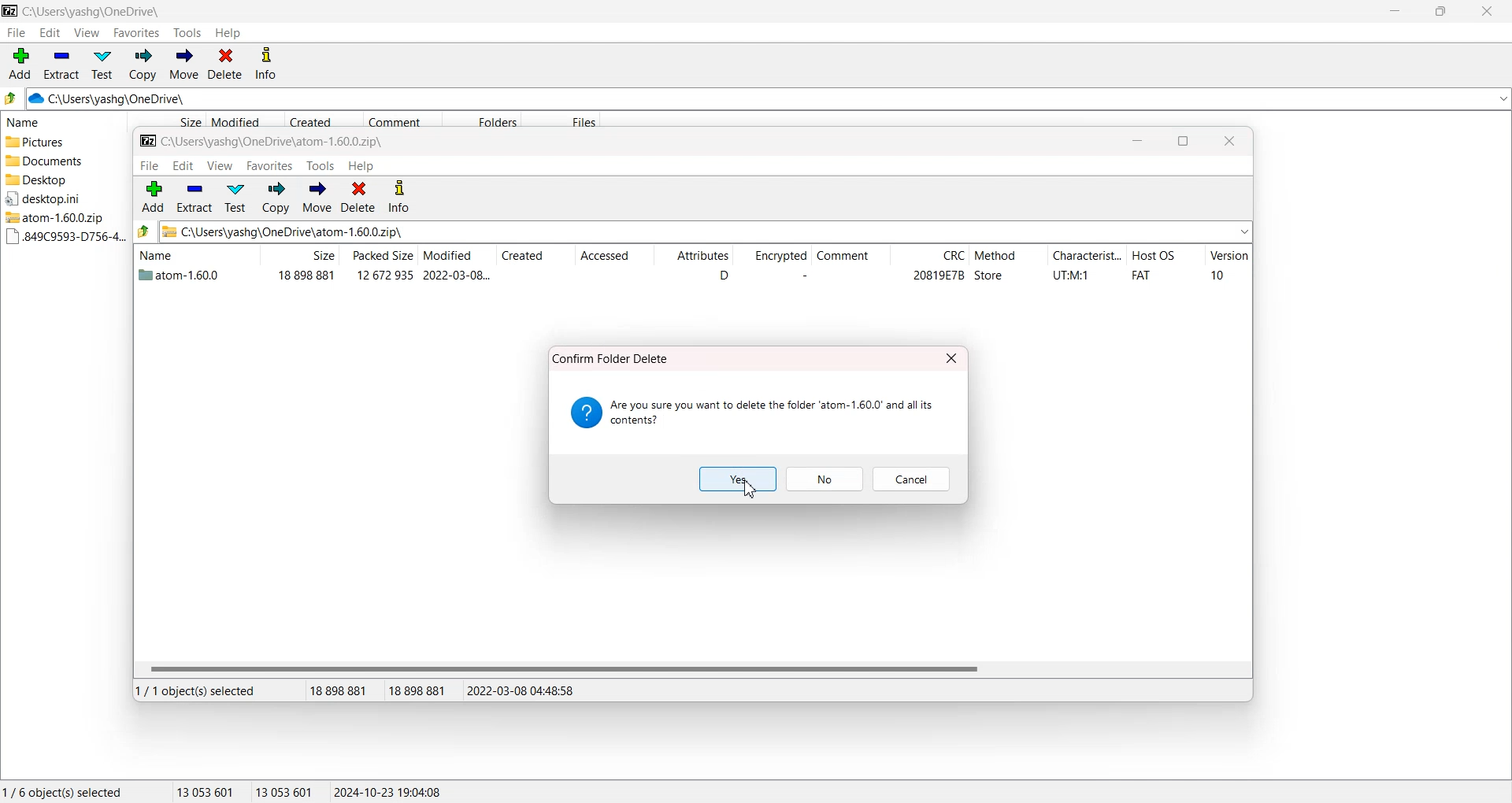 The height and width of the screenshot is (803, 1512). What do you see at coordinates (10, 10) in the screenshot?
I see `Logo` at bounding box center [10, 10].